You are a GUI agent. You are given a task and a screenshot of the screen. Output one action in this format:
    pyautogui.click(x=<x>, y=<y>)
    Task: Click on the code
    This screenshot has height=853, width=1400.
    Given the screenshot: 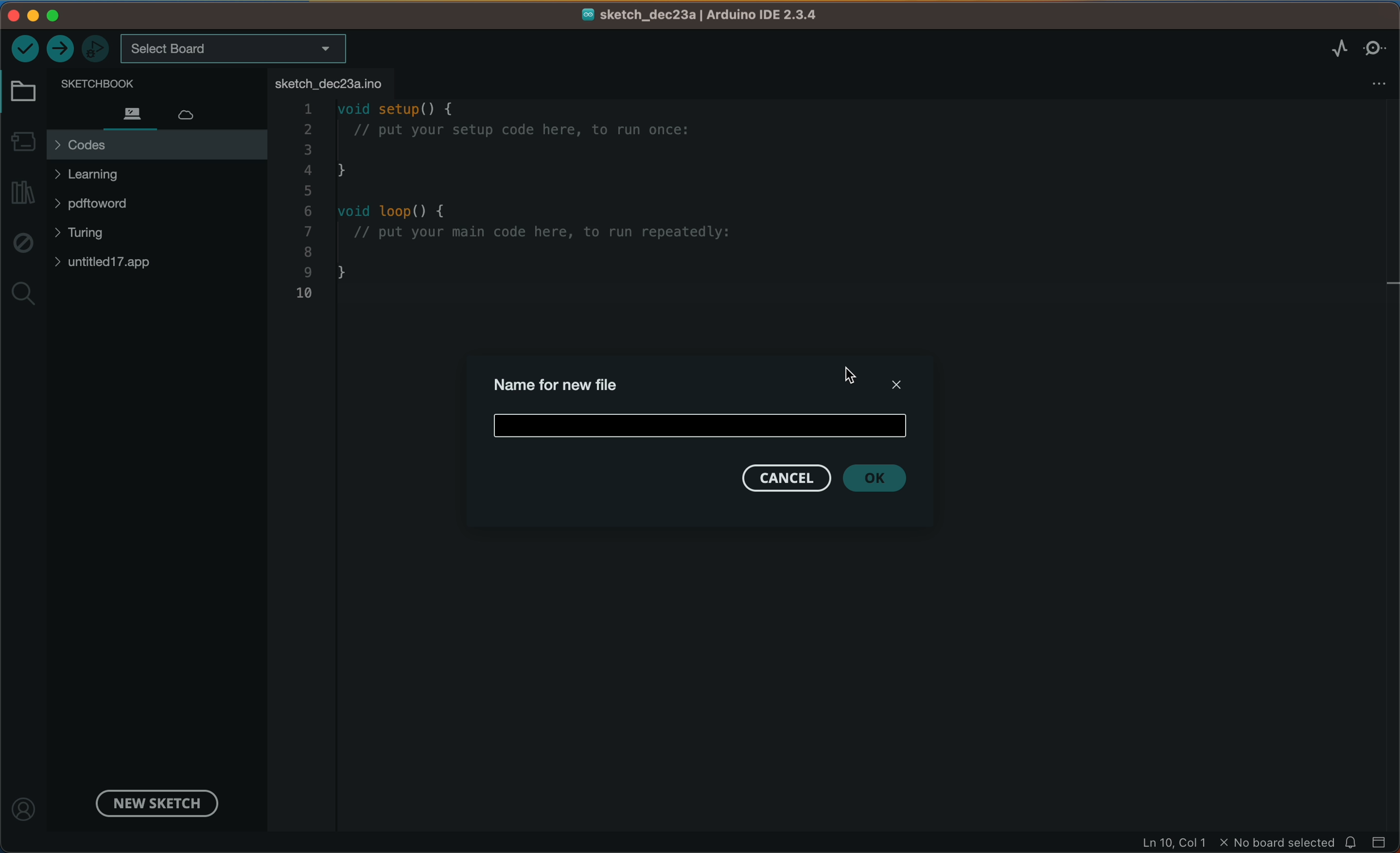 What is the action you would take?
    pyautogui.click(x=557, y=208)
    